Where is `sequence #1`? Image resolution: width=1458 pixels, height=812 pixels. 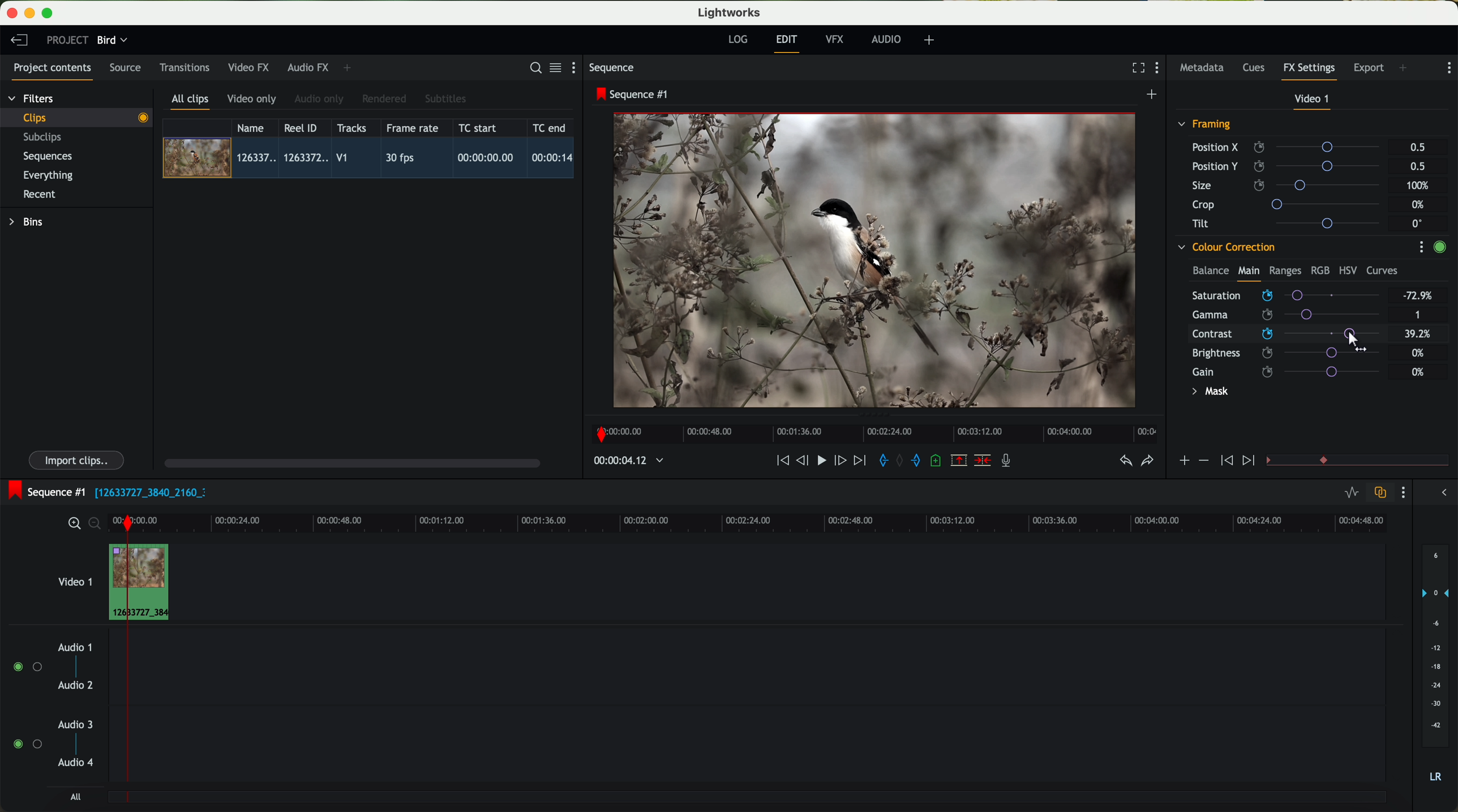
sequence #1 is located at coordinates (633, 94).